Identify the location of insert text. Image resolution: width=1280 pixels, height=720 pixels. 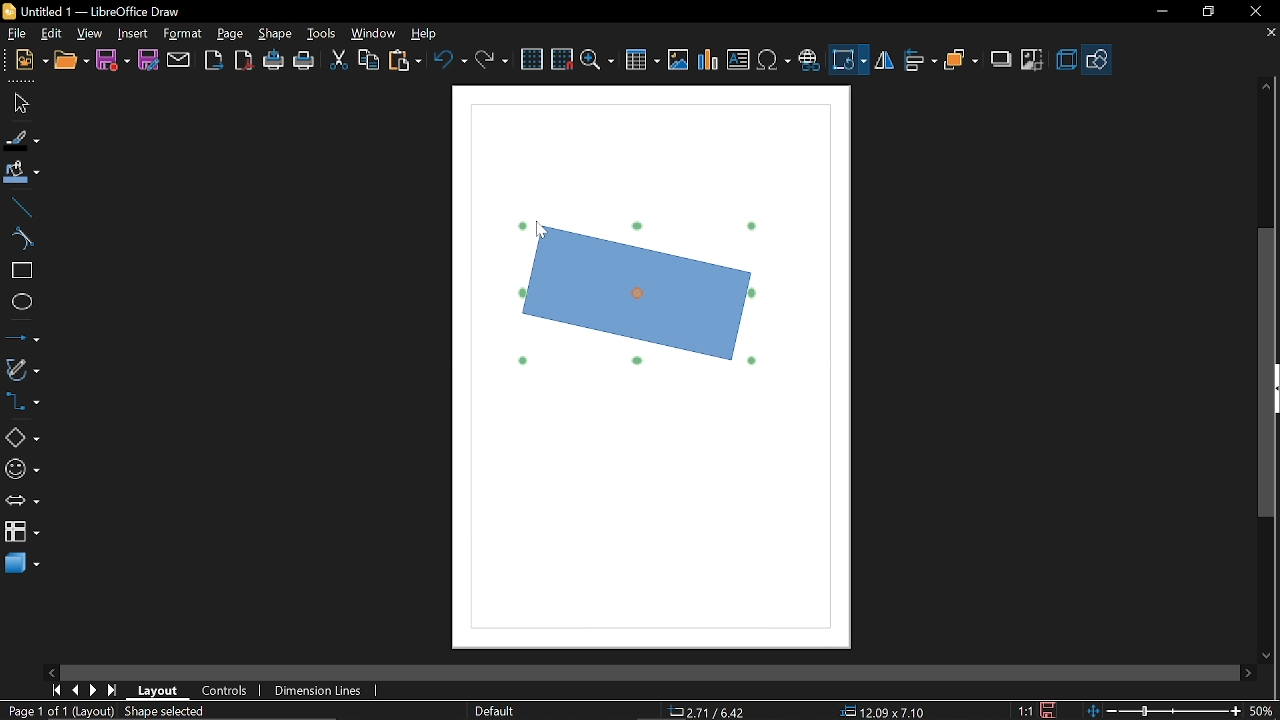
(738, 61).